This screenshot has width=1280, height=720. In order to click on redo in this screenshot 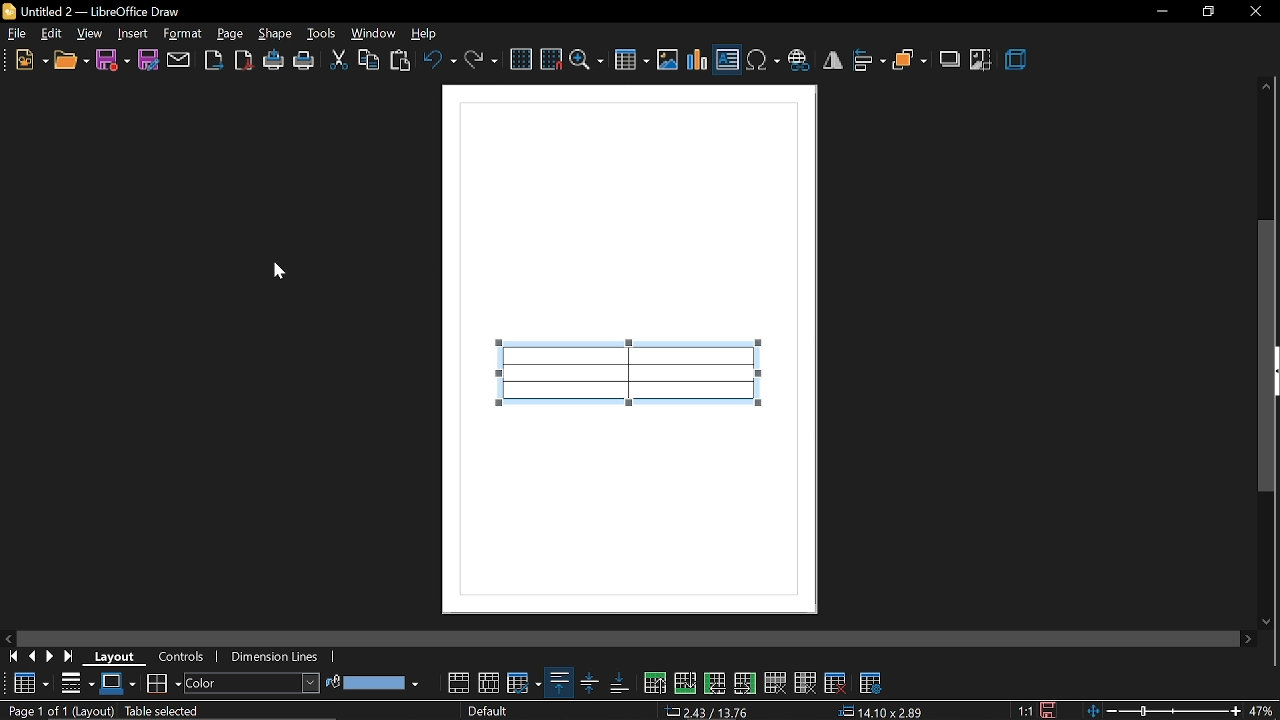, I will do `click(481, 61)`.